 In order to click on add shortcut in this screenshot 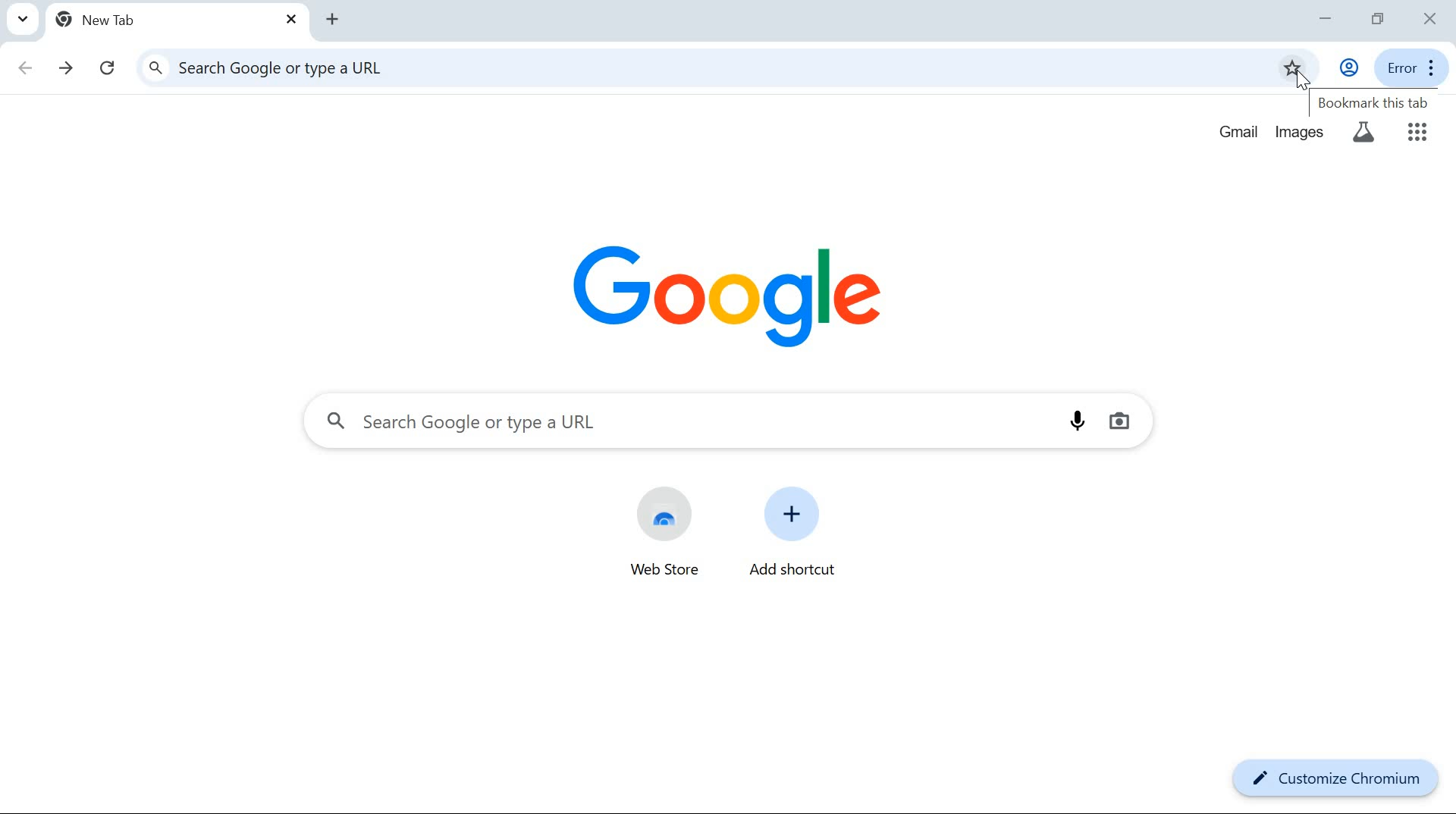, I will do `click(791, 532)`.